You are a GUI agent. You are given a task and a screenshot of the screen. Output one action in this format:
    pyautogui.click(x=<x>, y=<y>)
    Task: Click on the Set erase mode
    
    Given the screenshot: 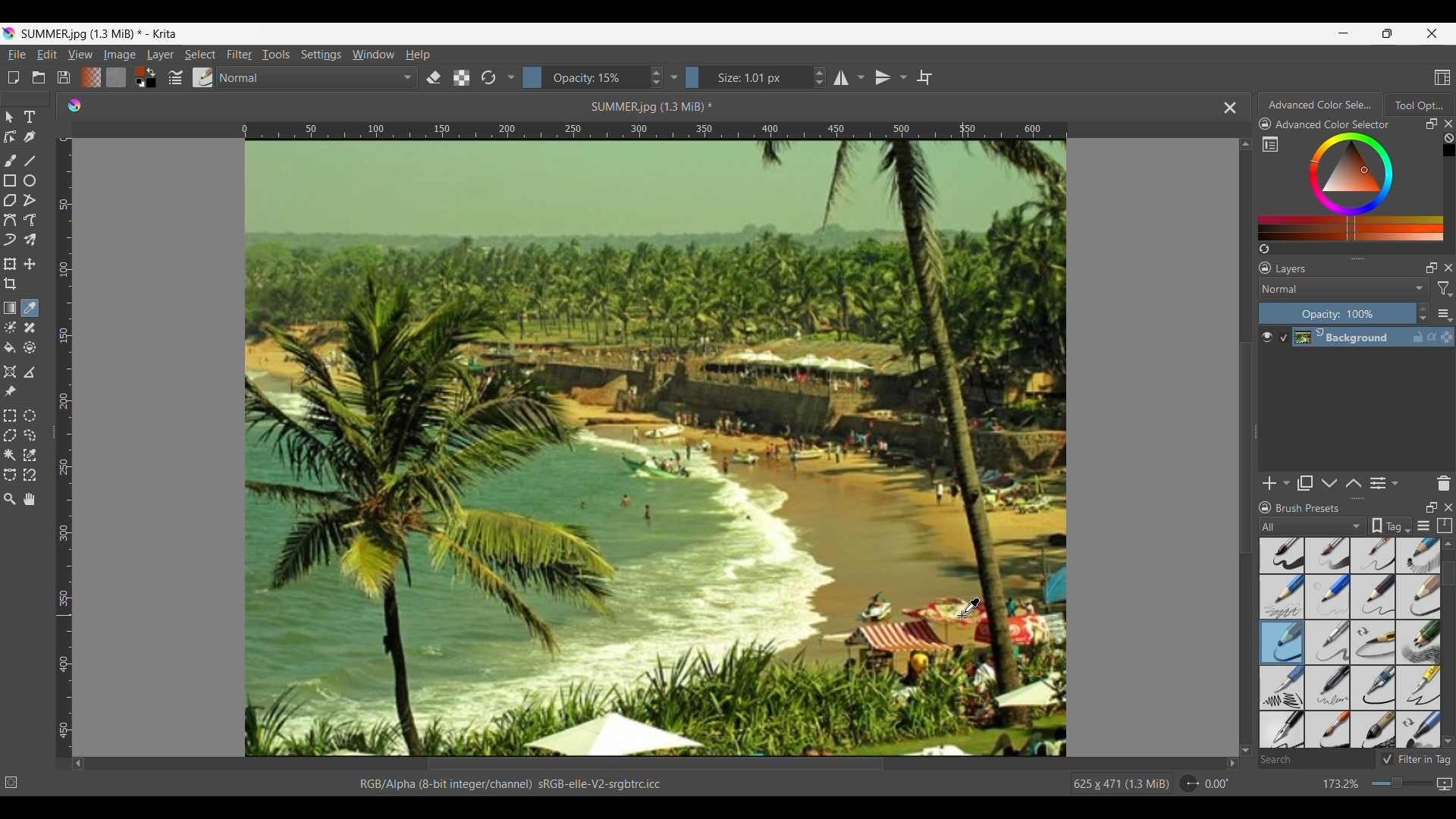 What is the action you would take?
    pyautogui.click(x=434, y=78)
    